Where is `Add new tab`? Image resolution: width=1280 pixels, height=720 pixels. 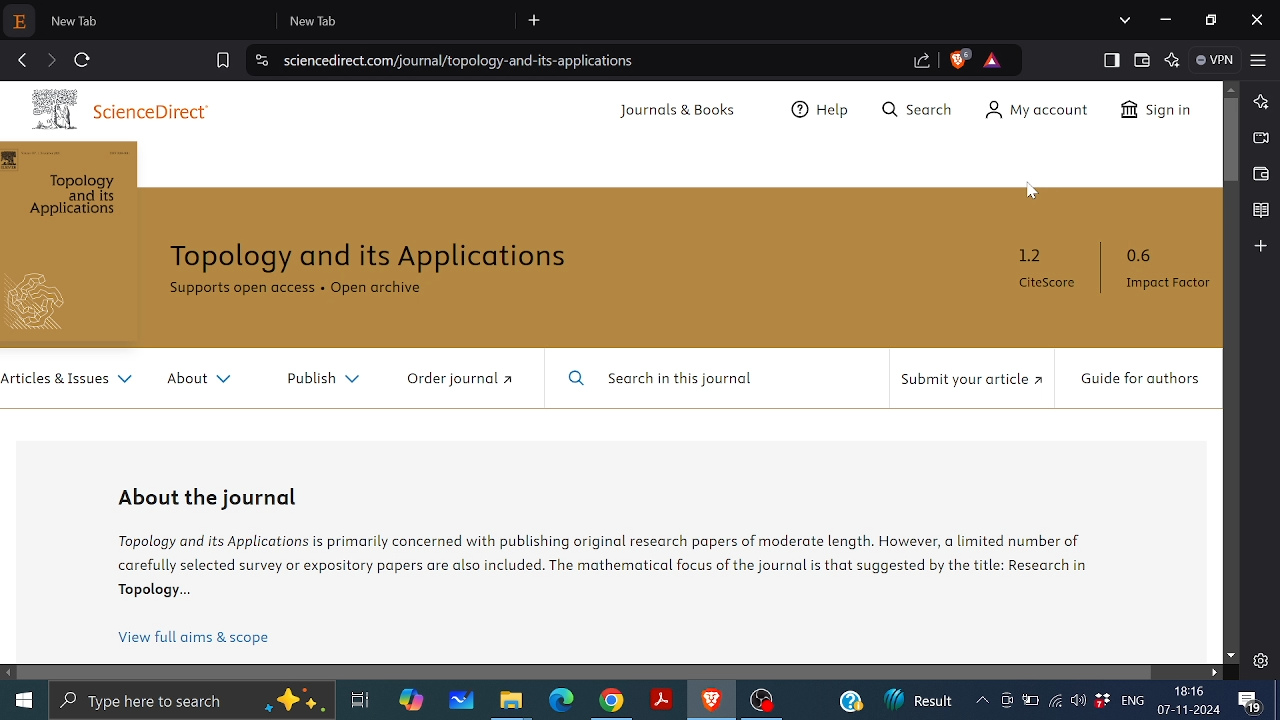 Add new tab is located at coordinates (536, 21).